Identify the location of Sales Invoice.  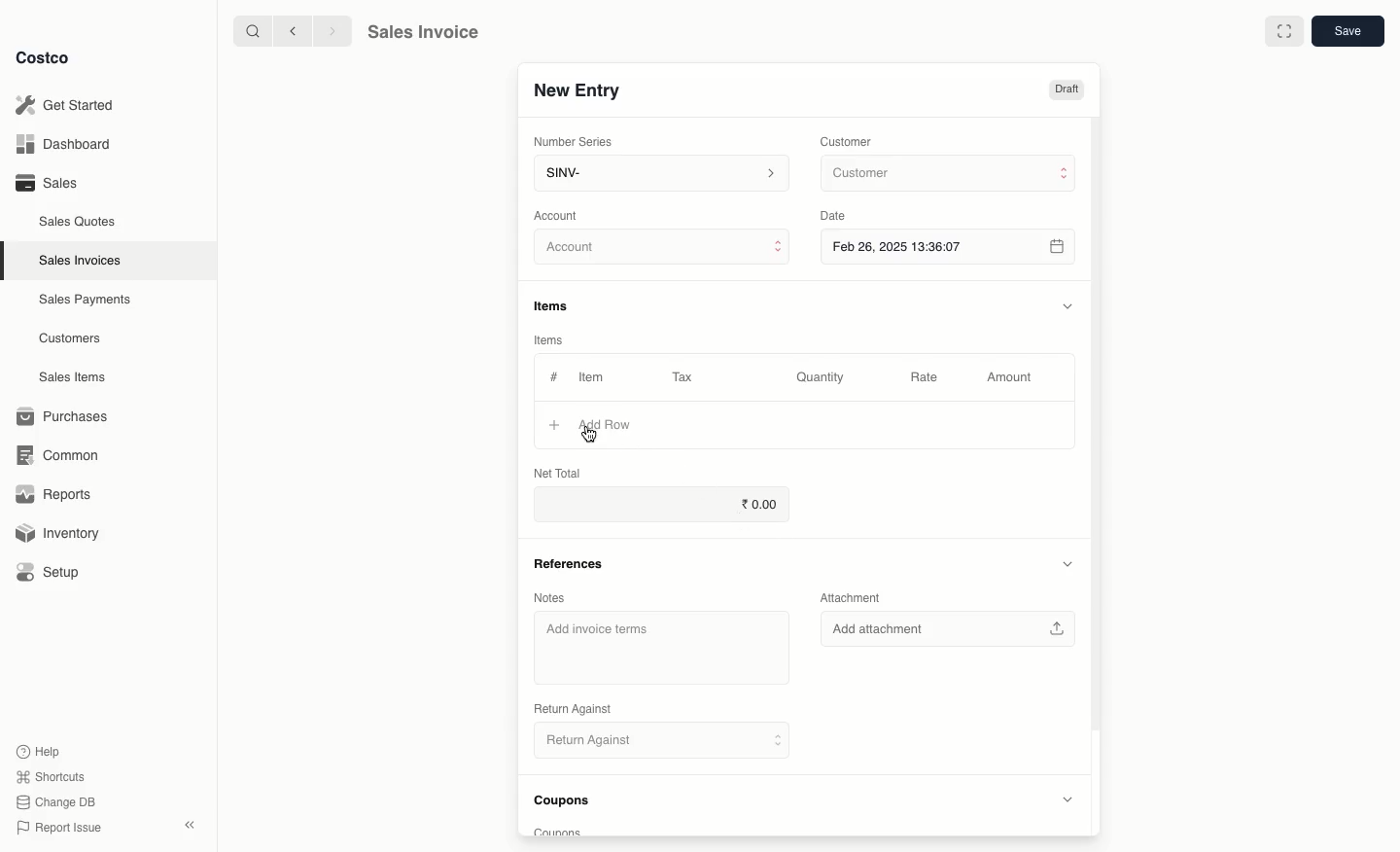
(423, 34).